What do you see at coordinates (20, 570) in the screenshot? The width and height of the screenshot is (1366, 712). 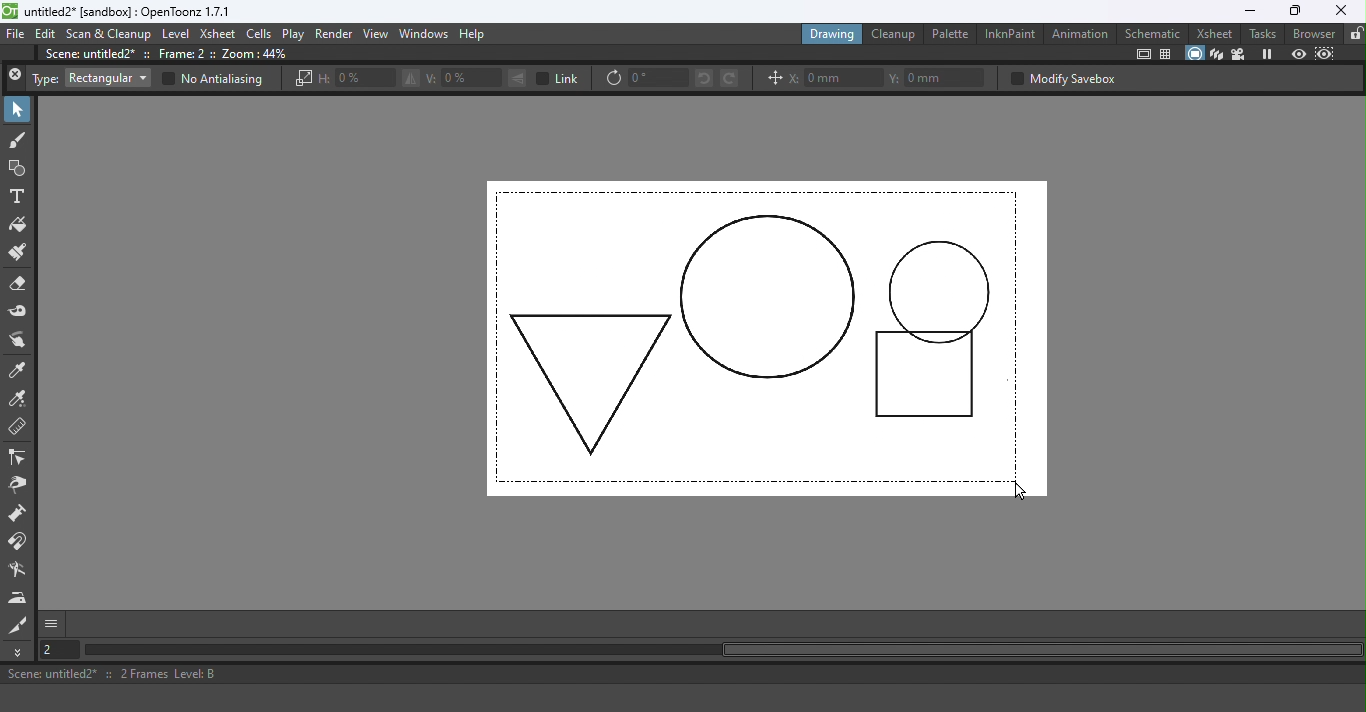 I see `Blender tool` at bounding box center [20, 570].